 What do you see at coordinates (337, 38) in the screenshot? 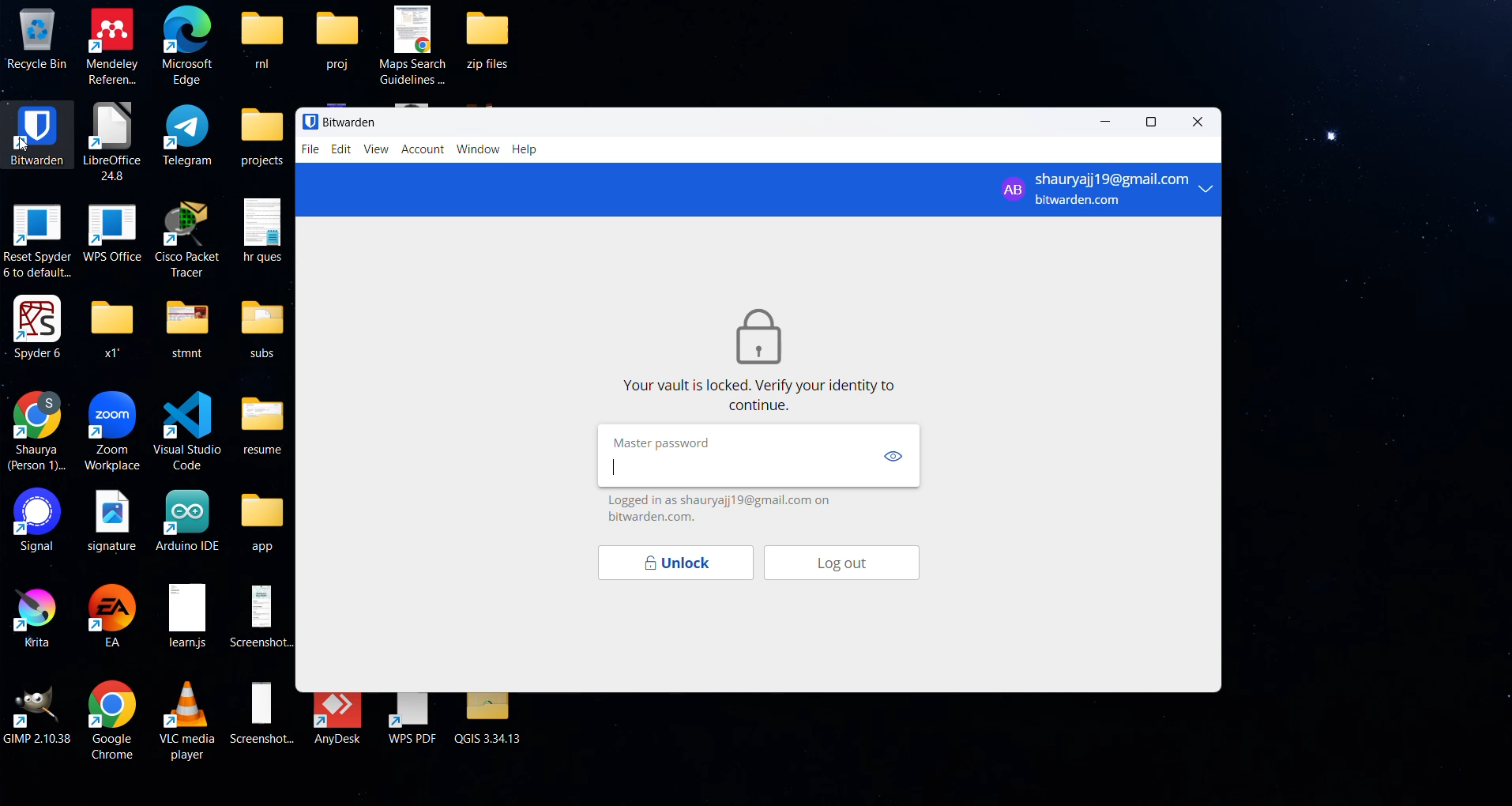
I see `proj` at bounding box center [337, 38].